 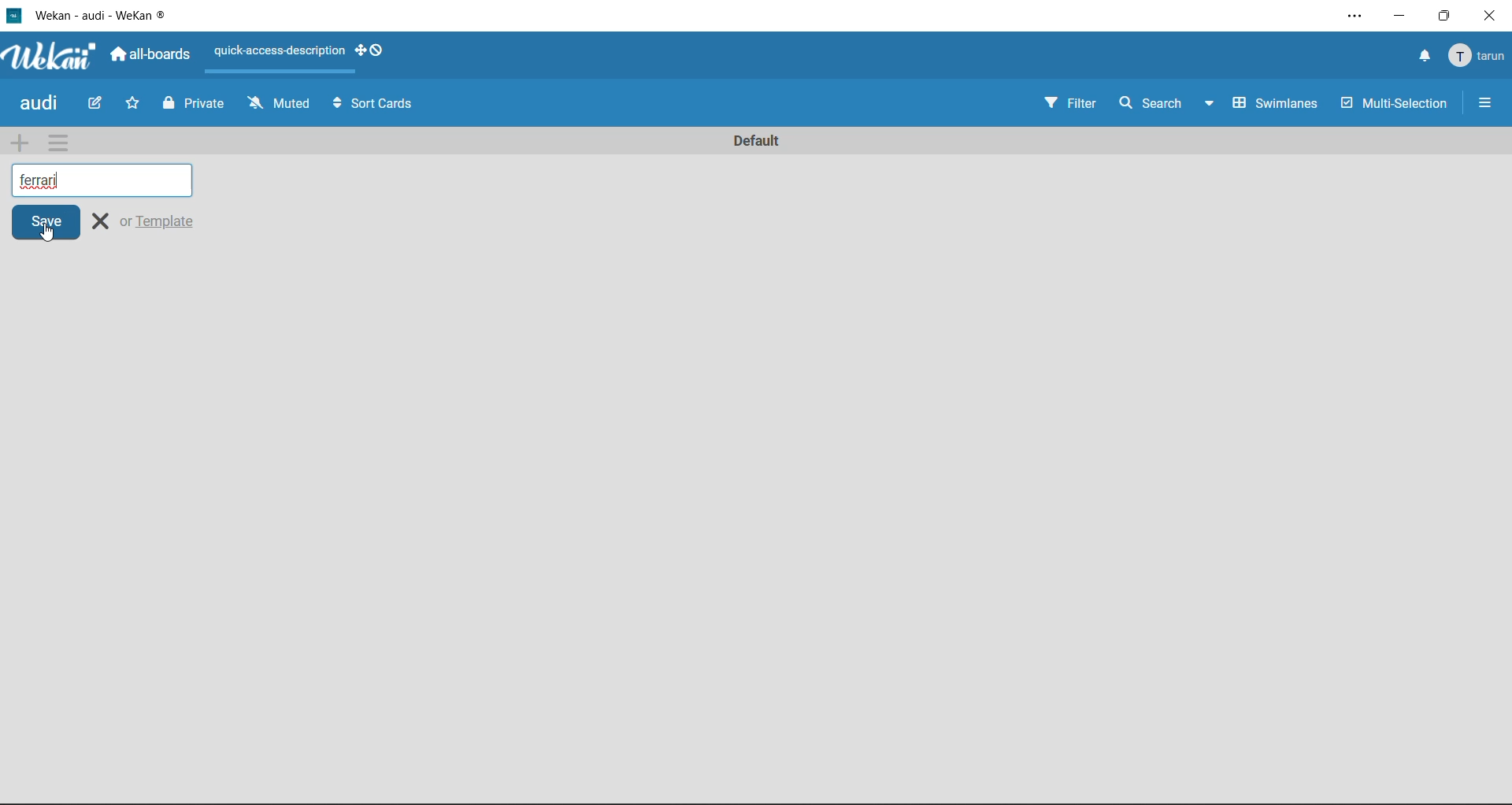 I want to click on settings, so click(x=1352, y=16).